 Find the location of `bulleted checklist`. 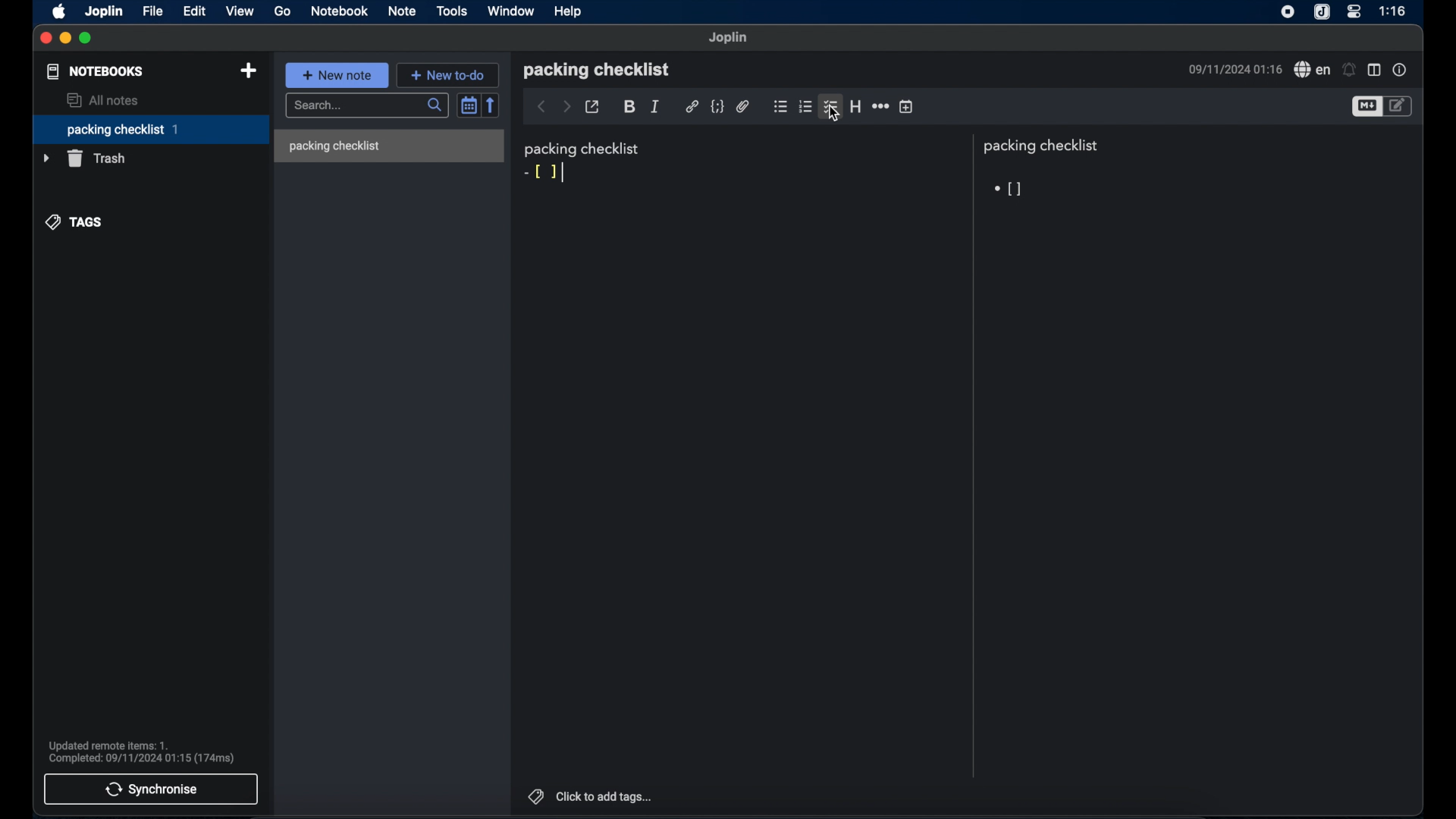

bulleted checklist is located at coordinates (780, 108).